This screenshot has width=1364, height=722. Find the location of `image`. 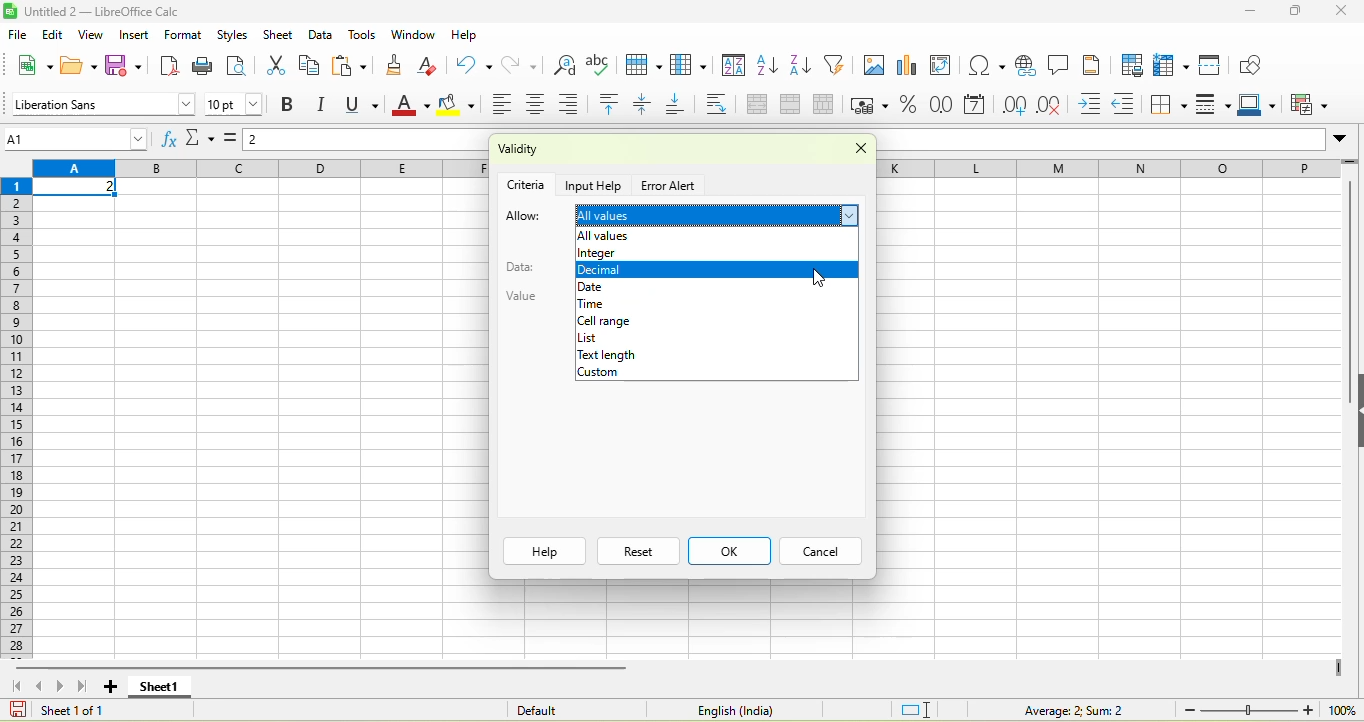

image is located at coordinates (873, 67).